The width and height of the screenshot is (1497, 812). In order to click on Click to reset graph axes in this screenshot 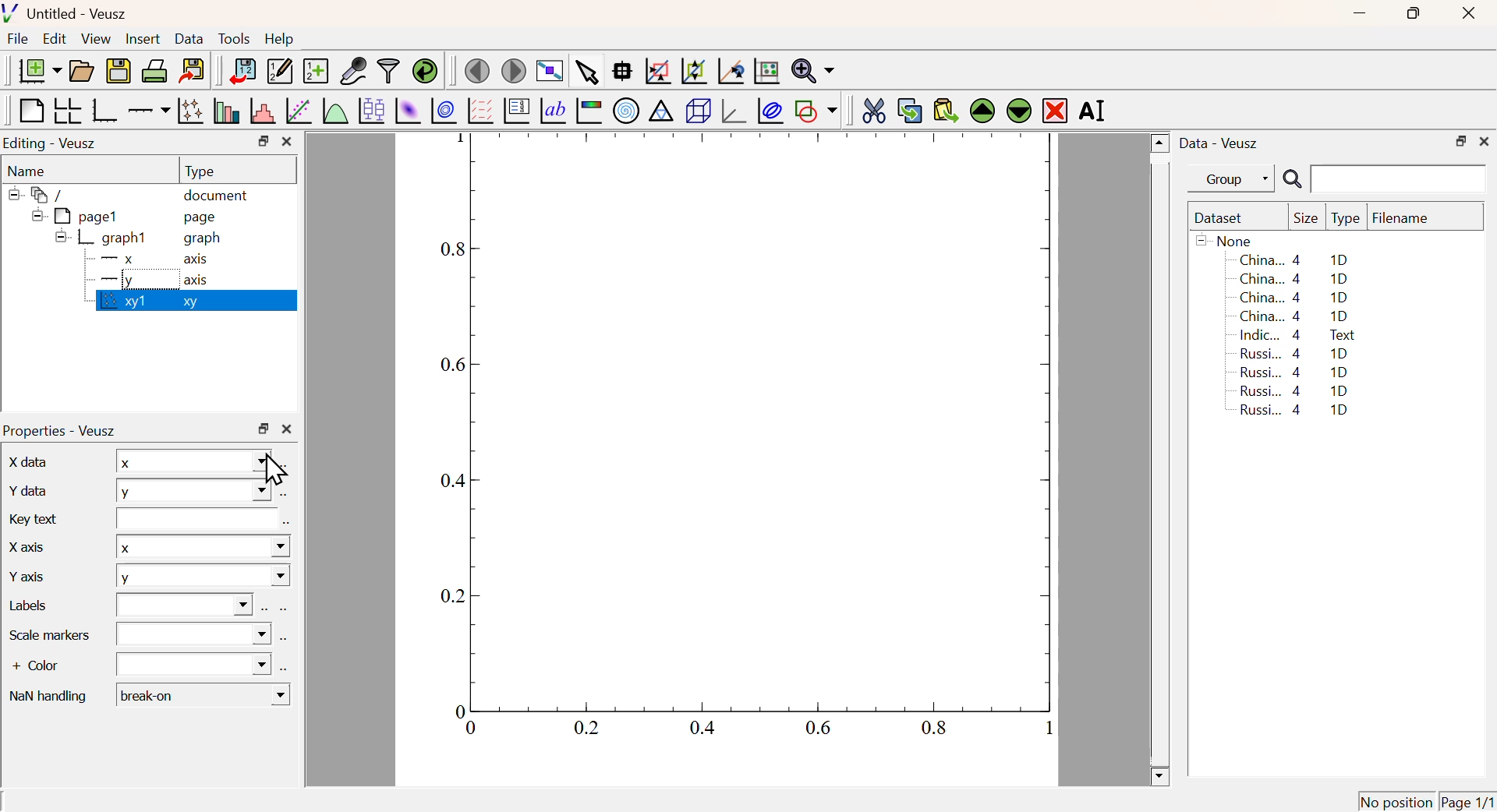, I will do `click(728, 72)`.